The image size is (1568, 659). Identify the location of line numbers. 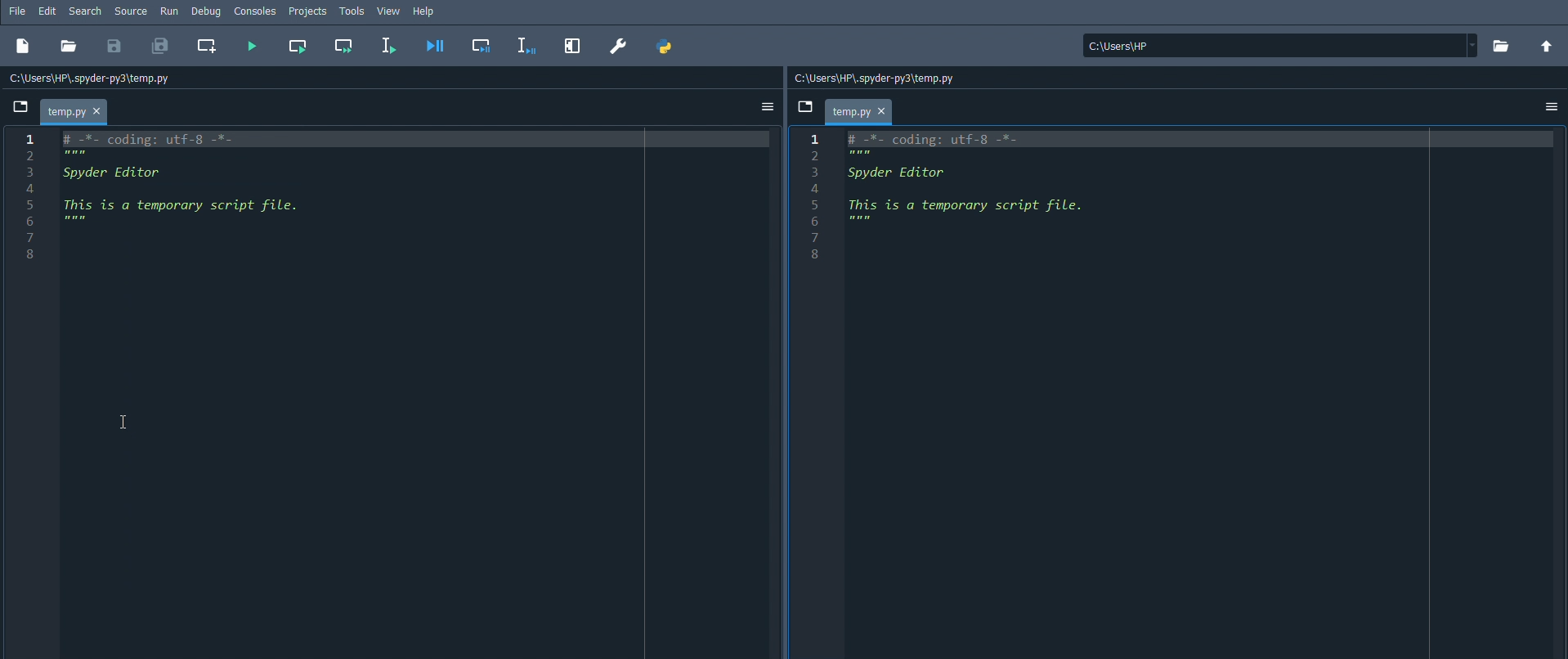
(817, 197).